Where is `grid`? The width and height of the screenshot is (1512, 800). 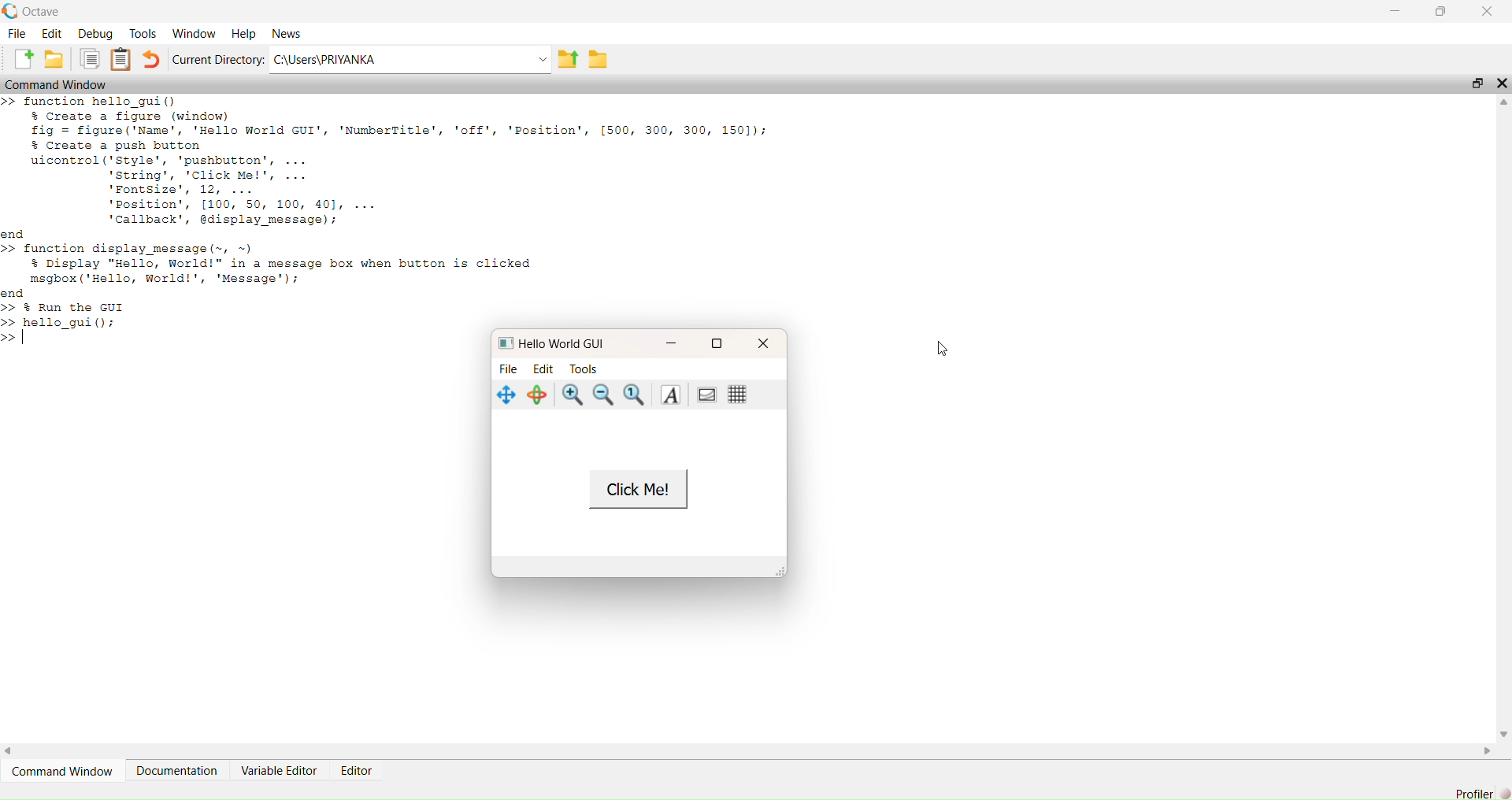 grid is located at coordinates (736, 396).